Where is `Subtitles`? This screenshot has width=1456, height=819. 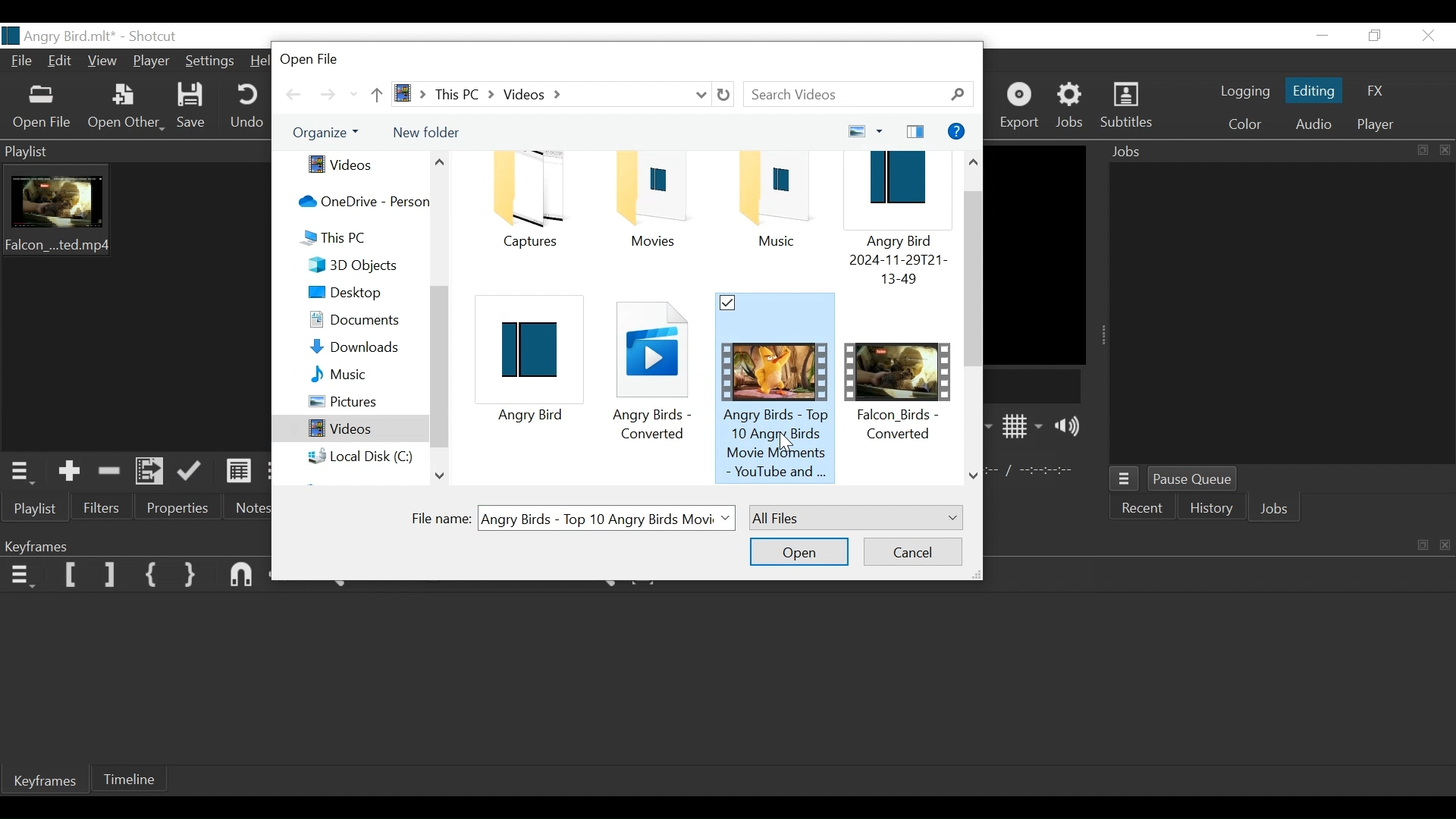
Subtitles is located at coordinates (1130, 105).